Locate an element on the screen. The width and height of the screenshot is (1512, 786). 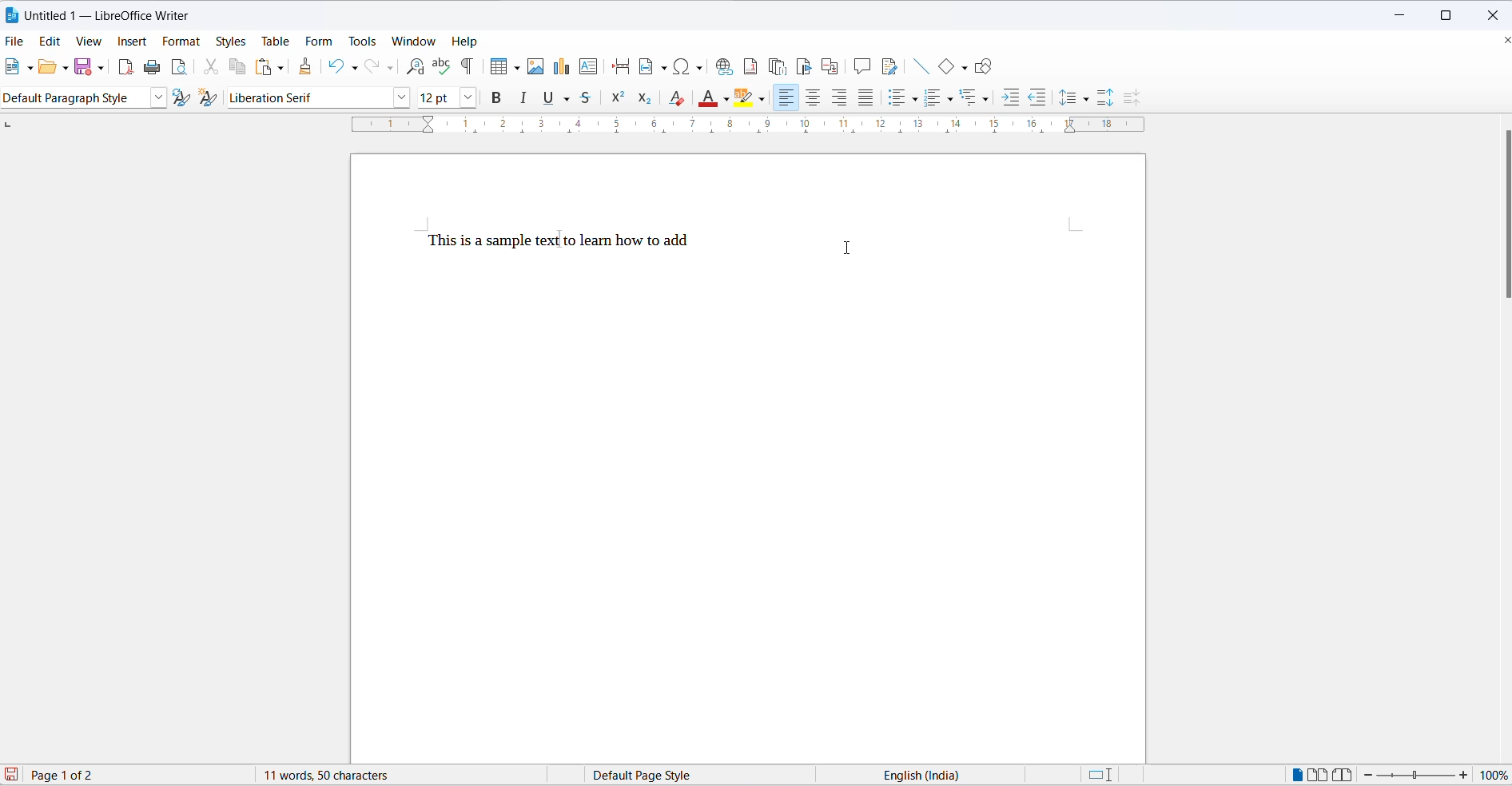
close is located at coordinates (1492, 13).